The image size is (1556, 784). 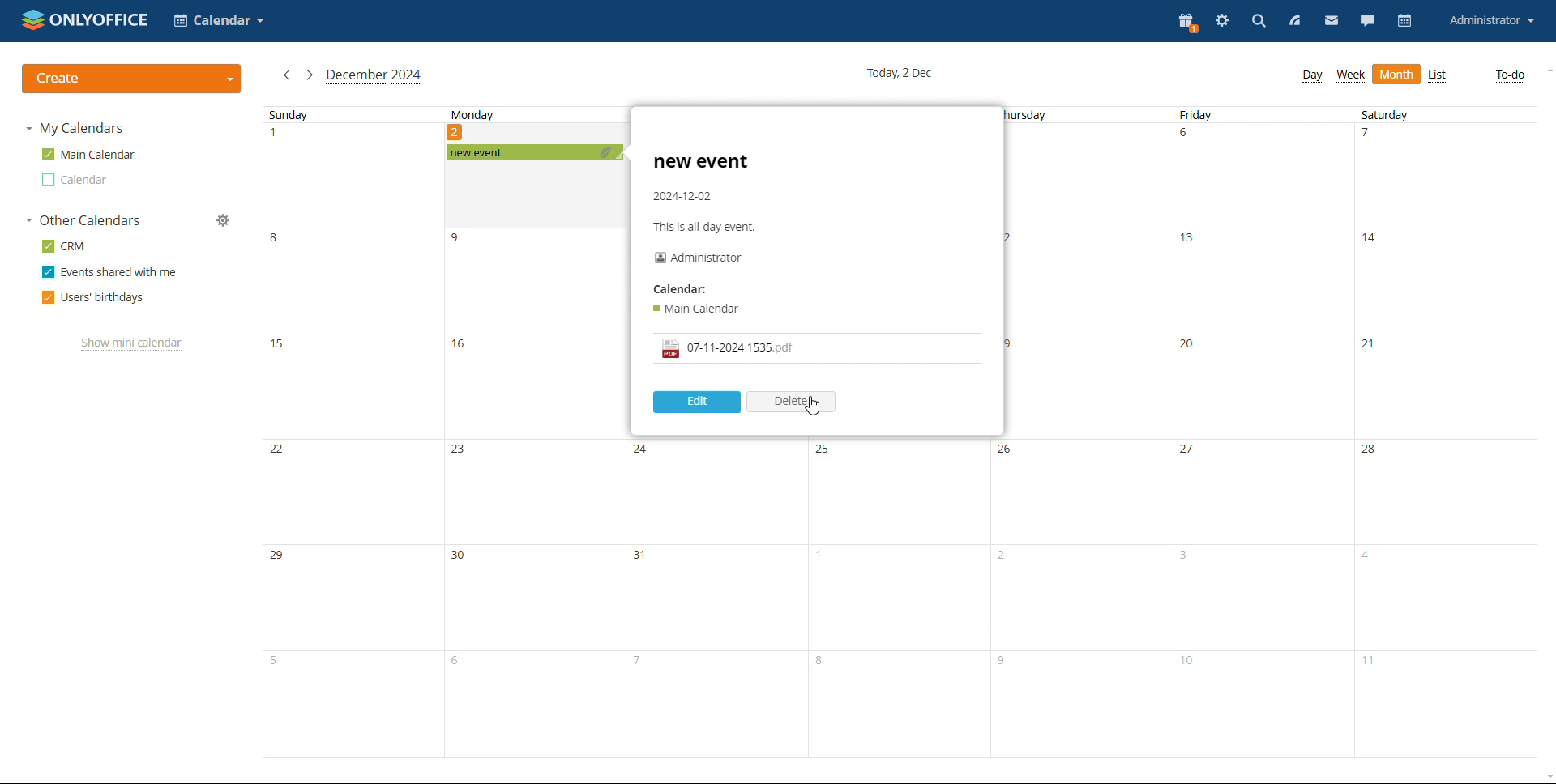 I want to click on present, so click(x=1186, y=21).